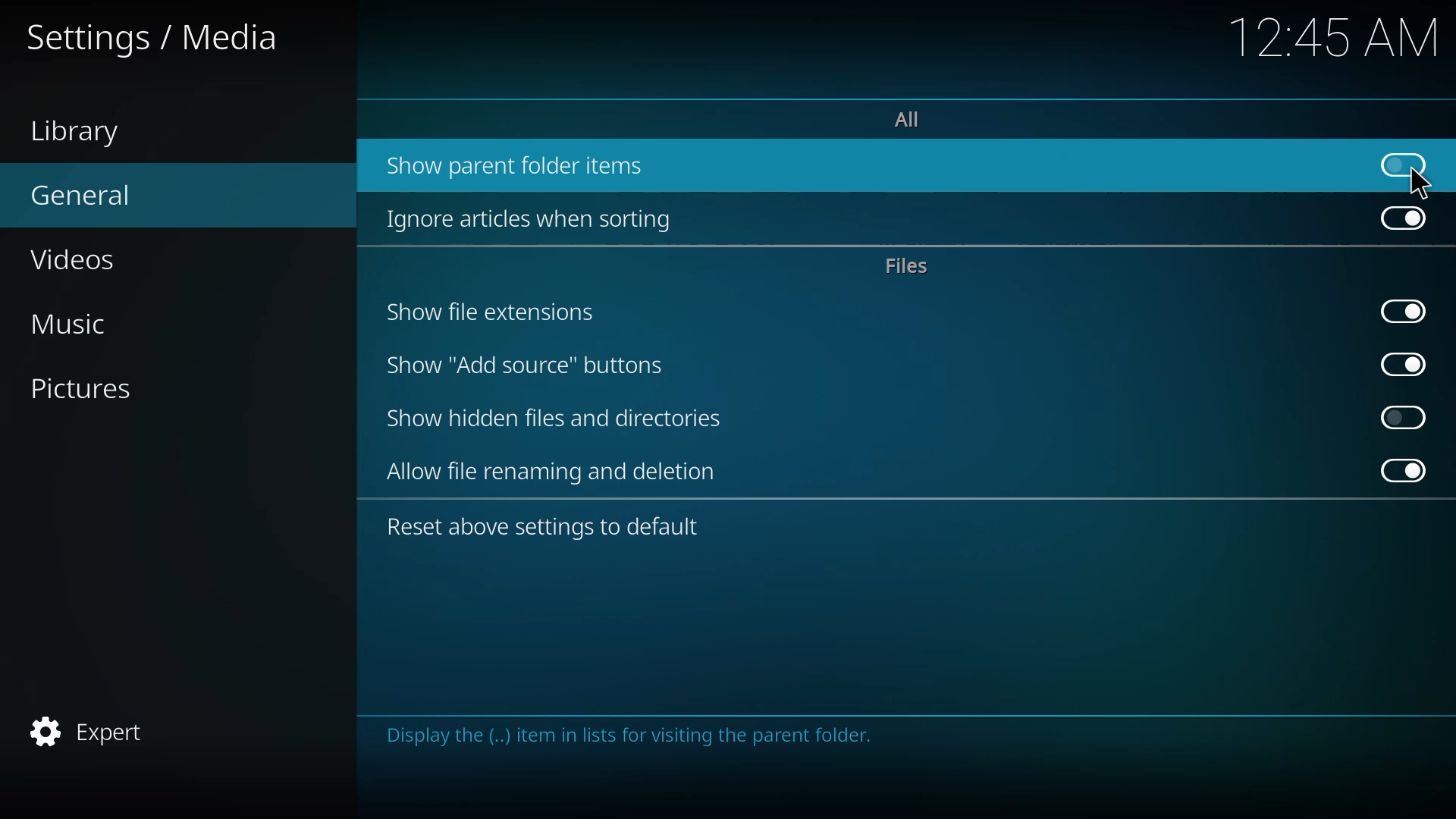 The height and width of the screenshot is (819, 1456). Describe the element at coordinates (89, 193) in the screenshot. I see `general` at that location.